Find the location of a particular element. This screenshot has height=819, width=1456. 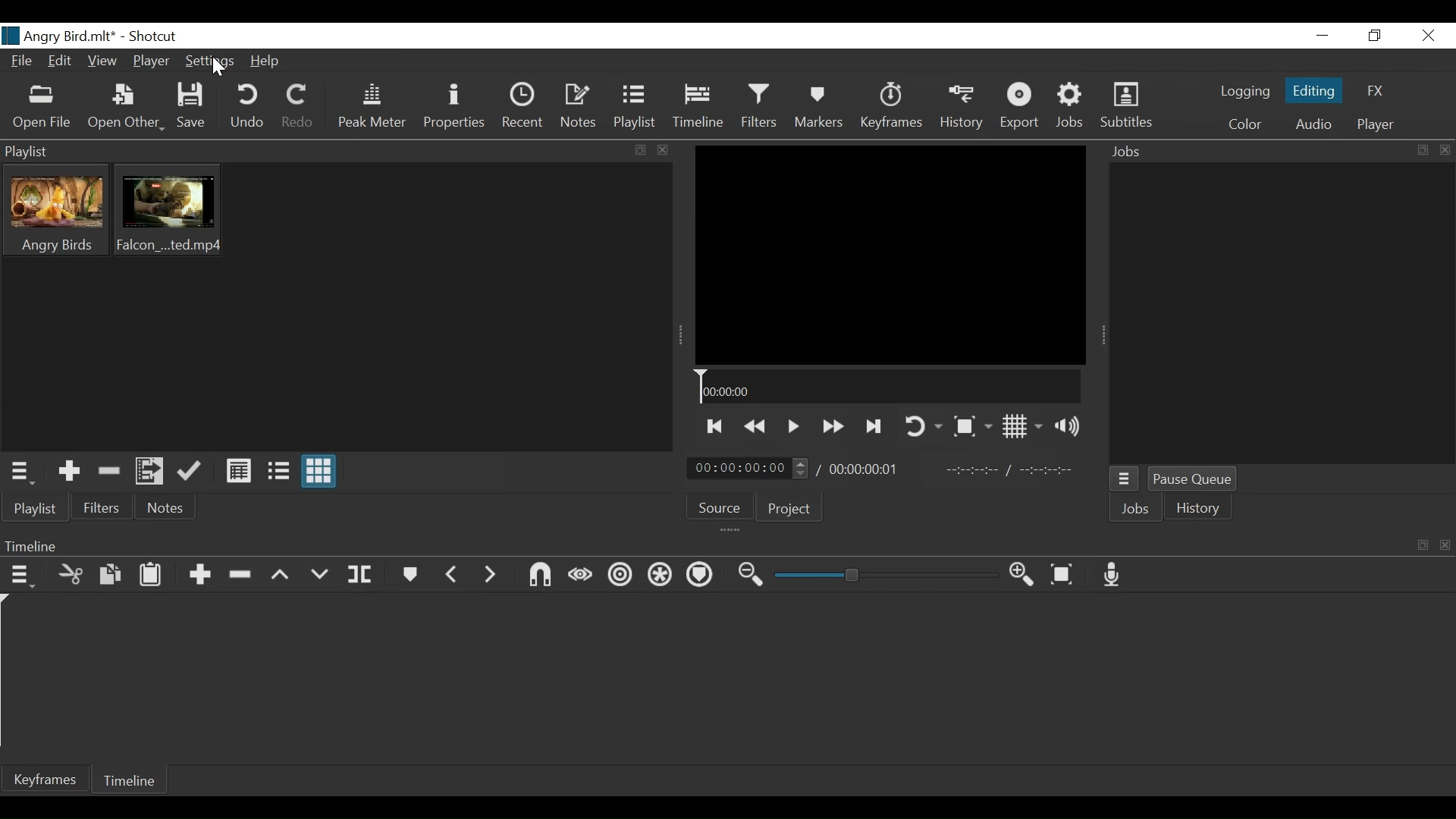

Media Viewer is located at coordinates (890, 255).